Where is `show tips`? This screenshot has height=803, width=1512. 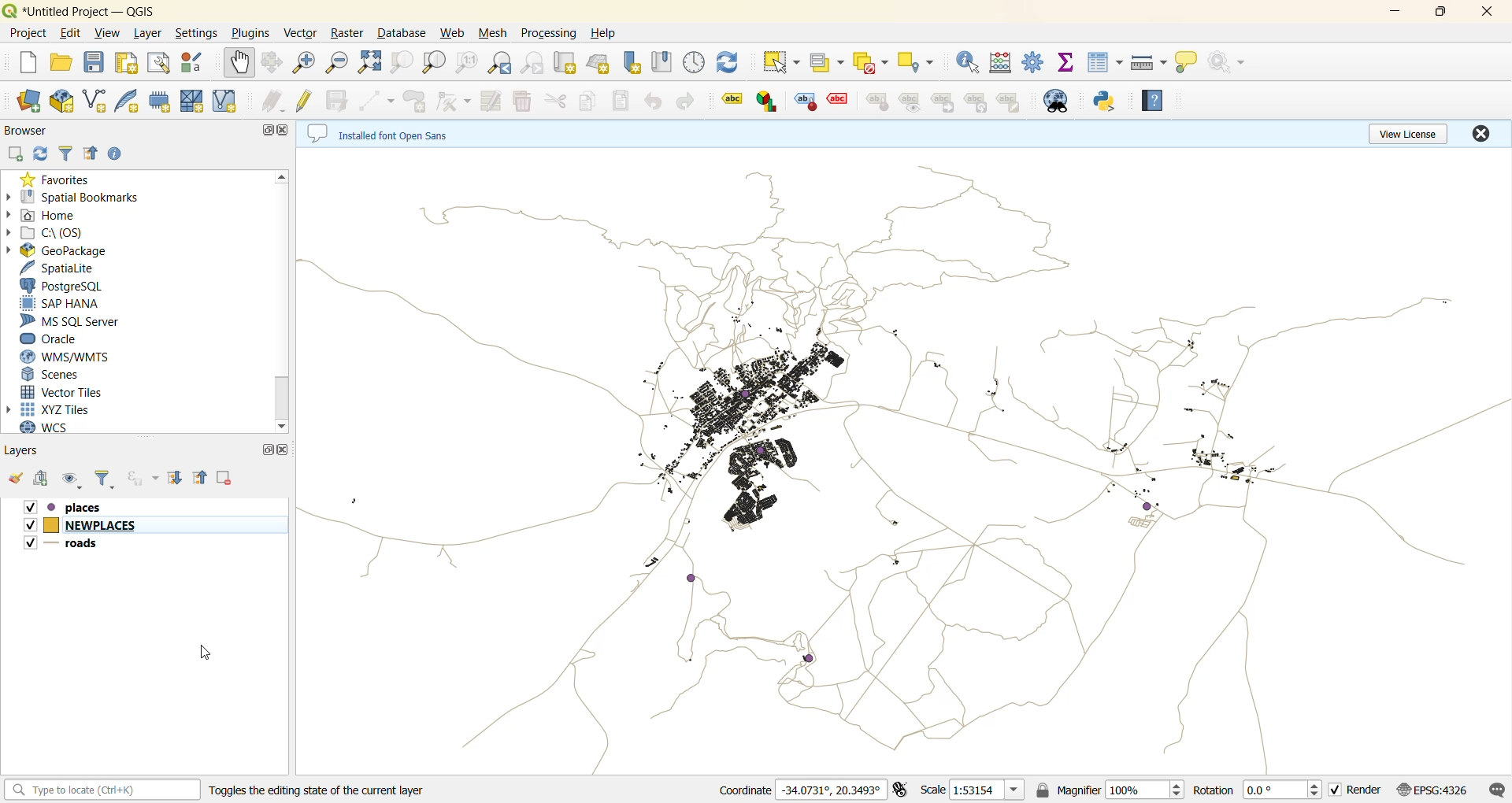 show tips is located at coordinates (1190, 63).